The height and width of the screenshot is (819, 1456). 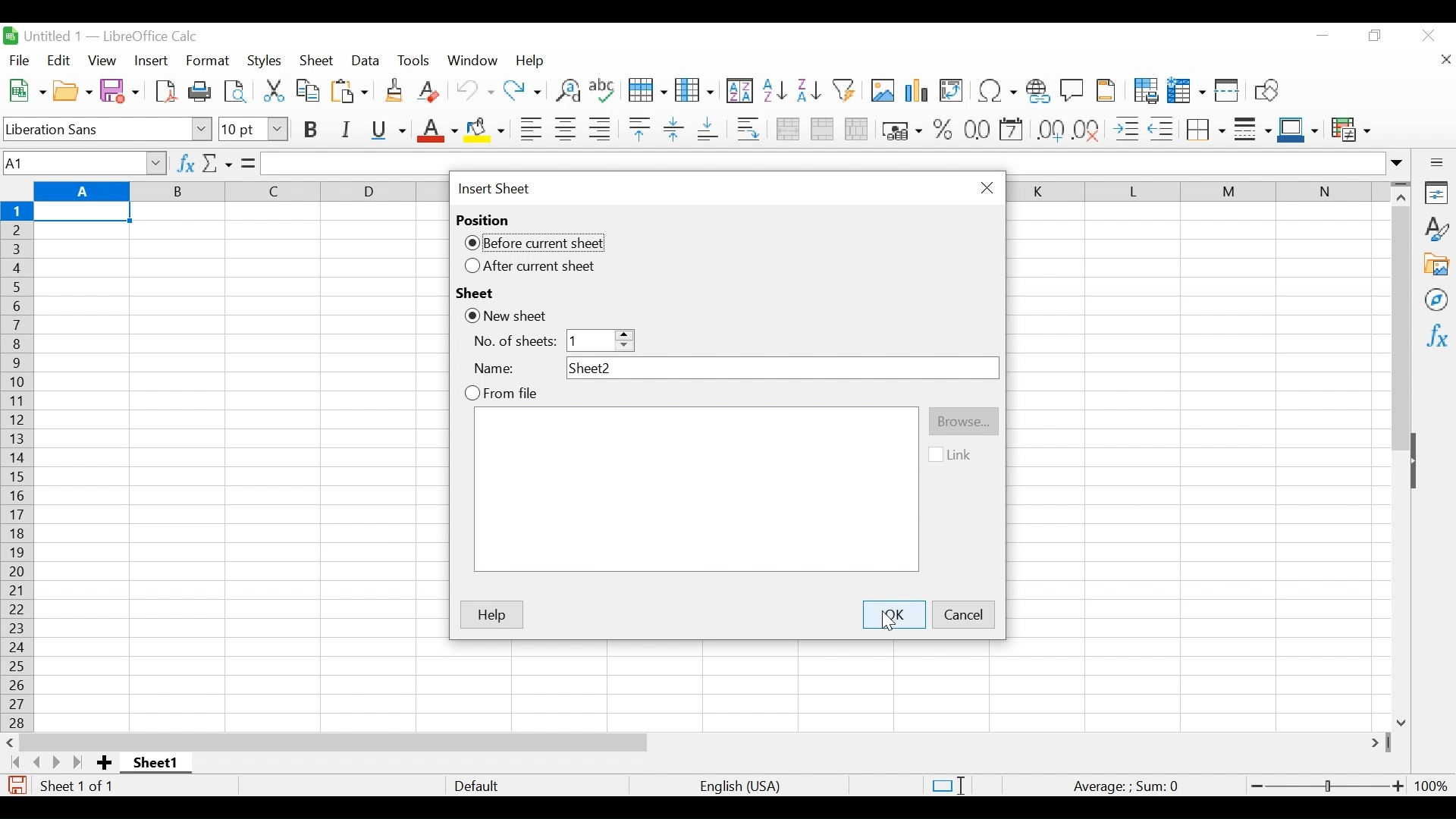 I want to click on Styles, so click(x=262, y=61).